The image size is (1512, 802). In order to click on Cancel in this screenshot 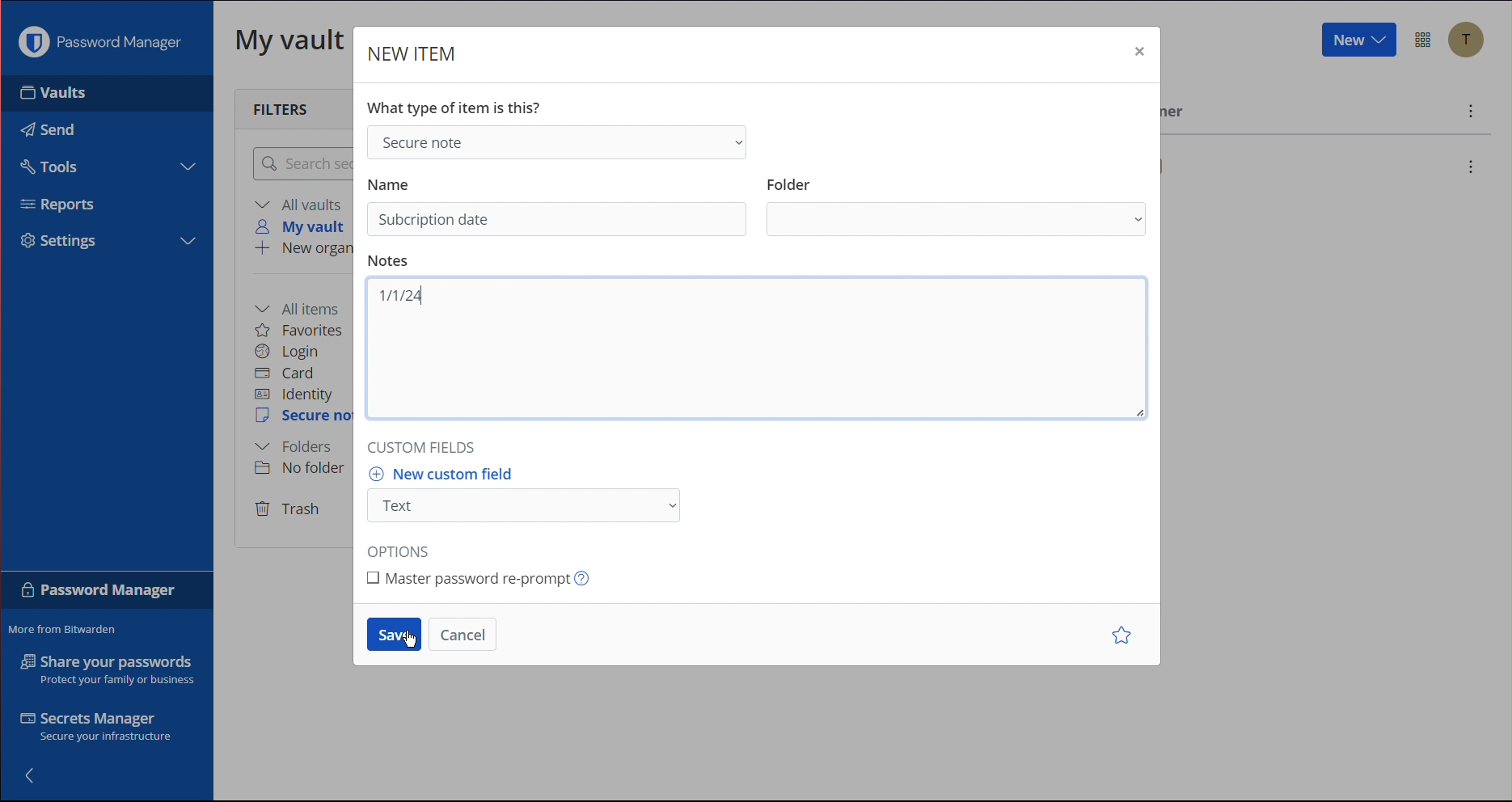, I will do `click(463, 635)`.